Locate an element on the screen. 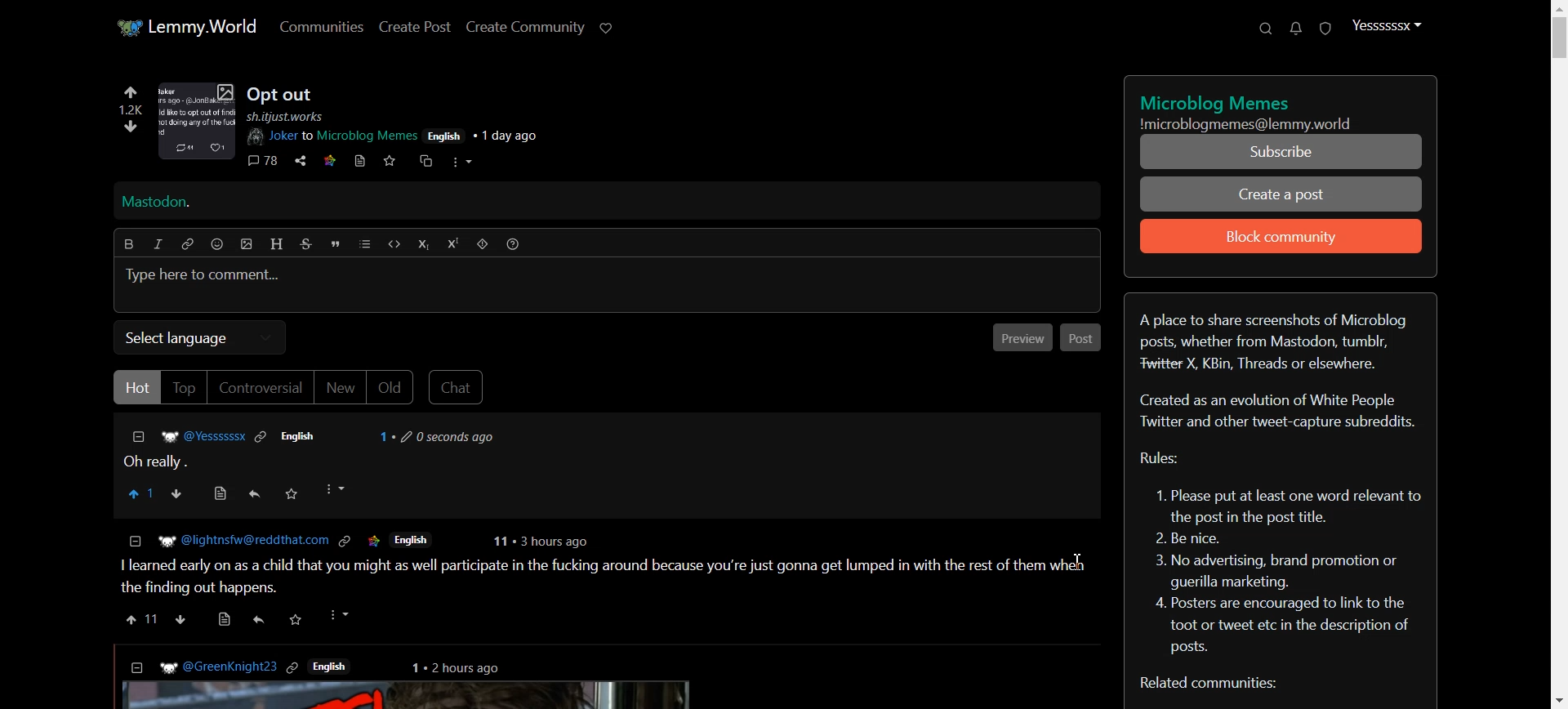 The image size is (1568, 709). Spoiler is located at coordinates (483, 244).